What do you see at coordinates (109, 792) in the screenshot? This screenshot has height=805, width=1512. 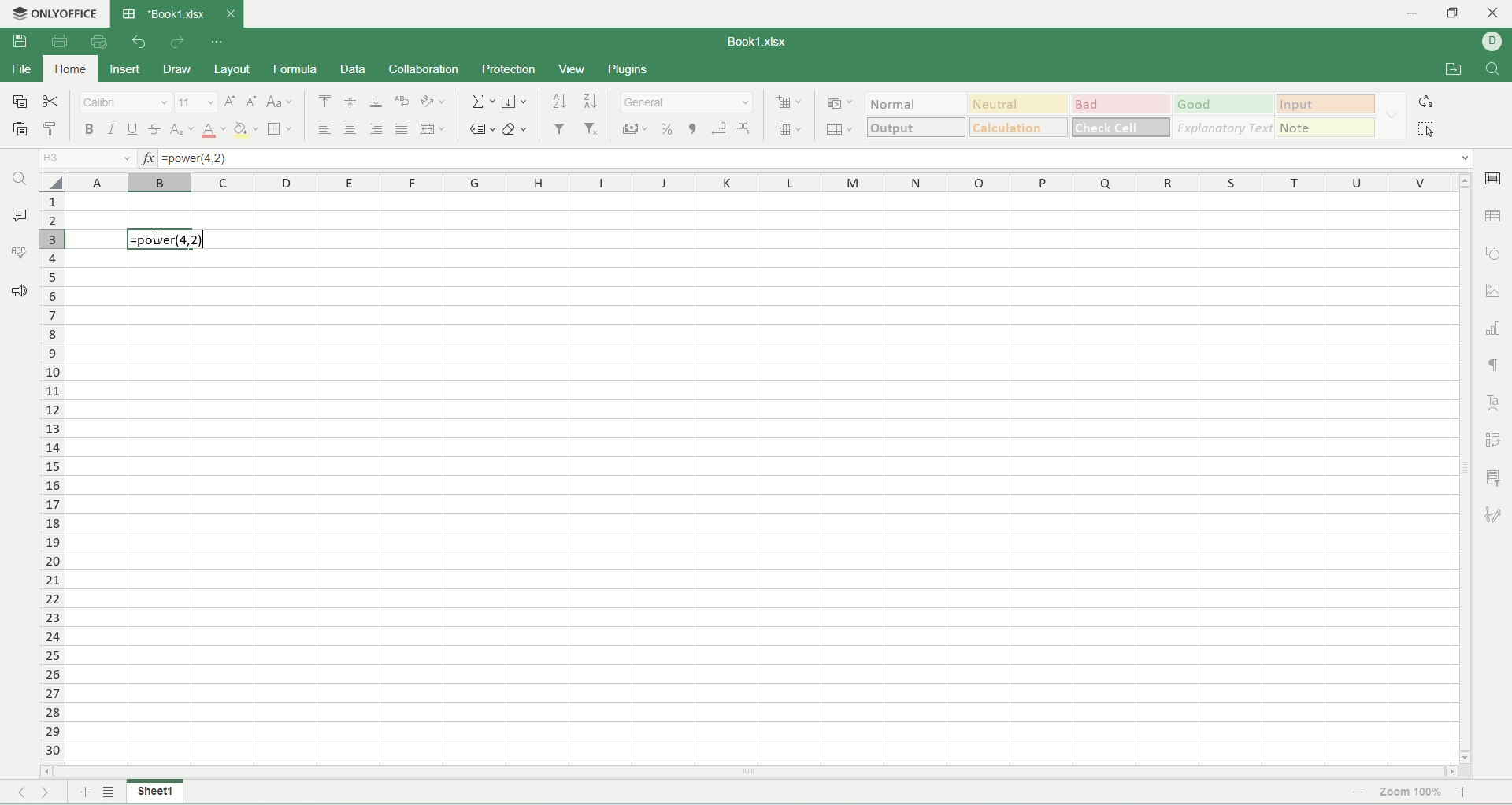 I see `list of sheet` at bounding box center [109, 792].